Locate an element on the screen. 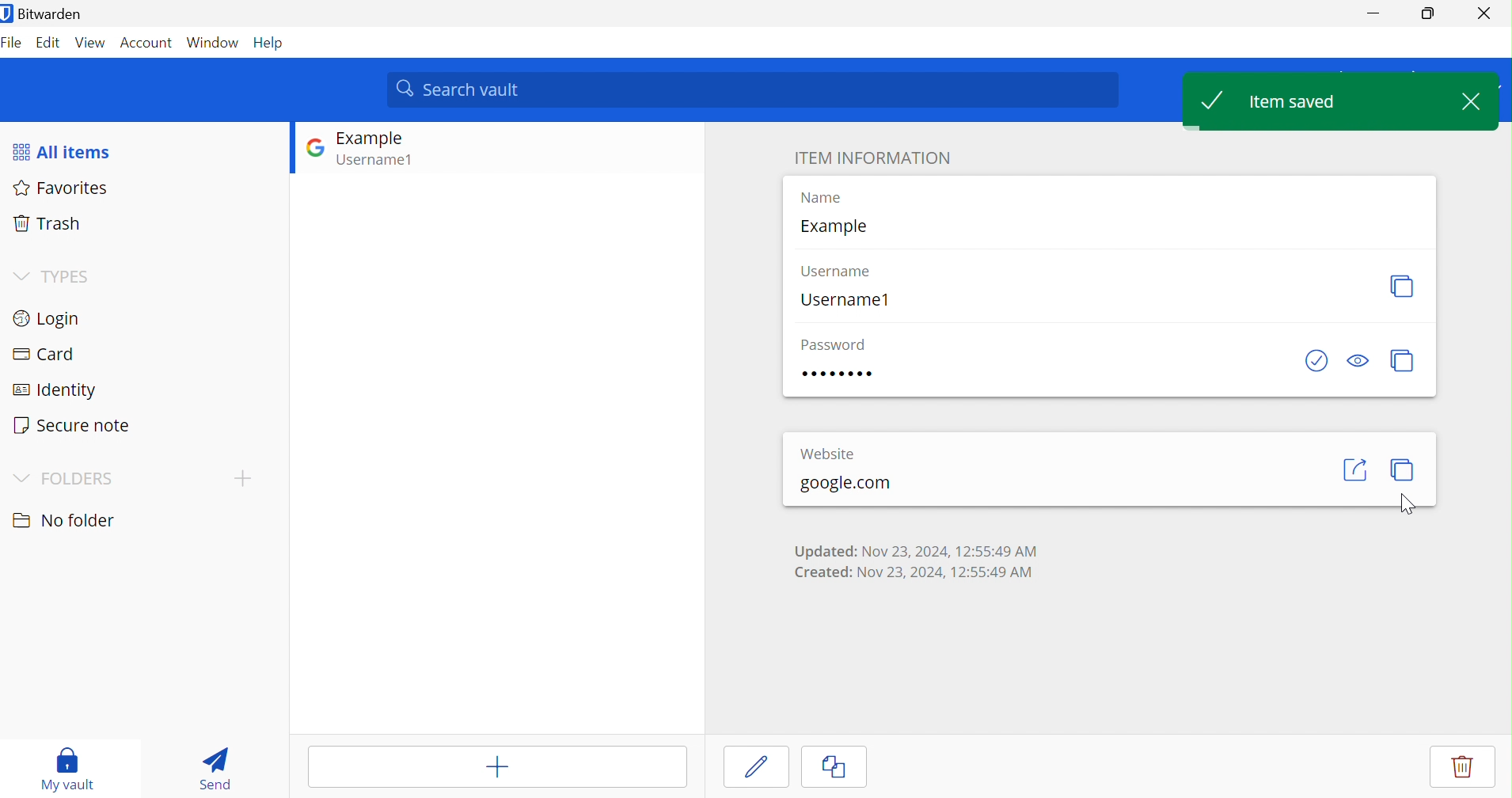  Name is located at coordinates (820, 197).